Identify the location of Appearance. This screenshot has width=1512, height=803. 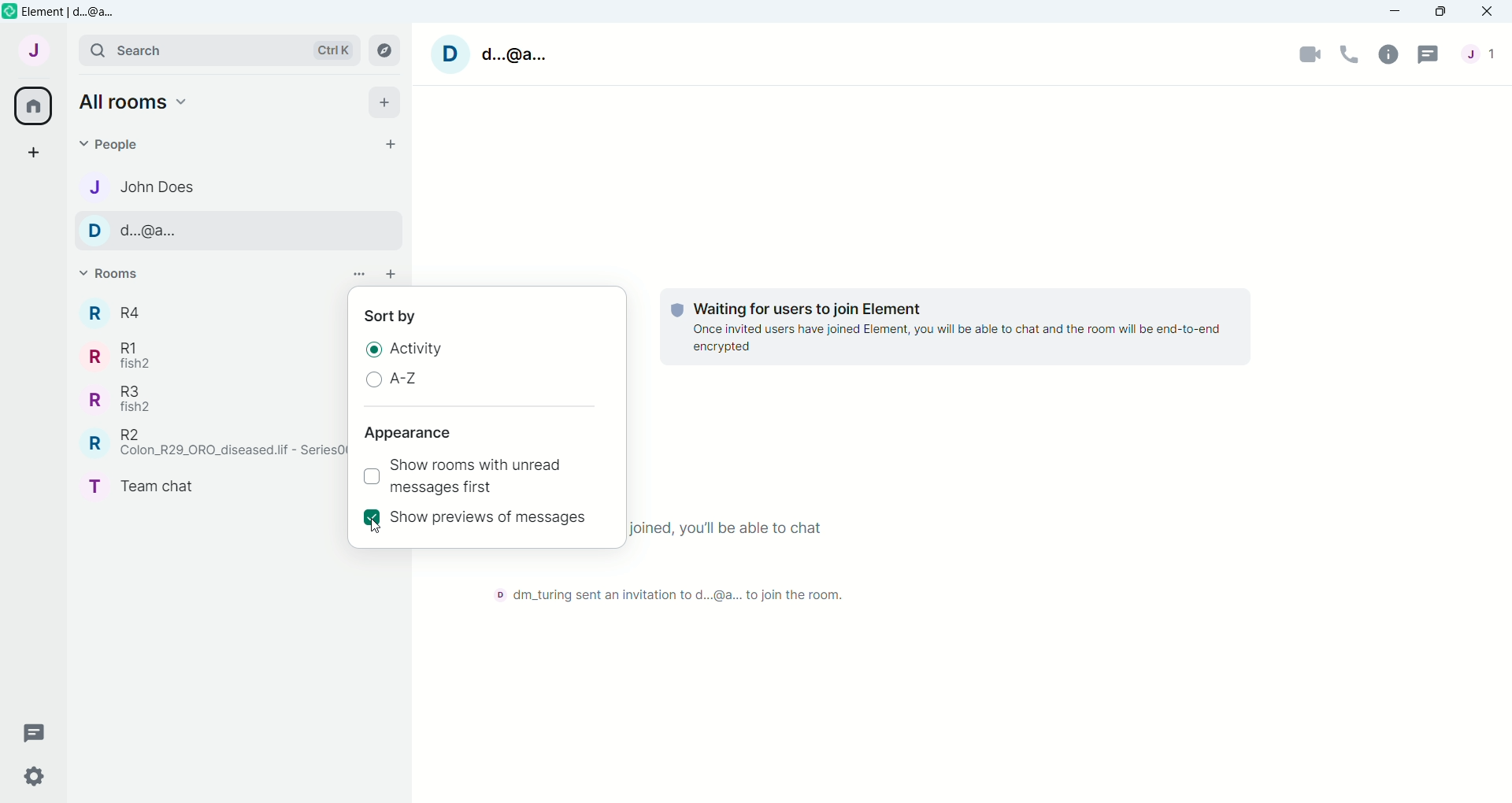
(409, 433).